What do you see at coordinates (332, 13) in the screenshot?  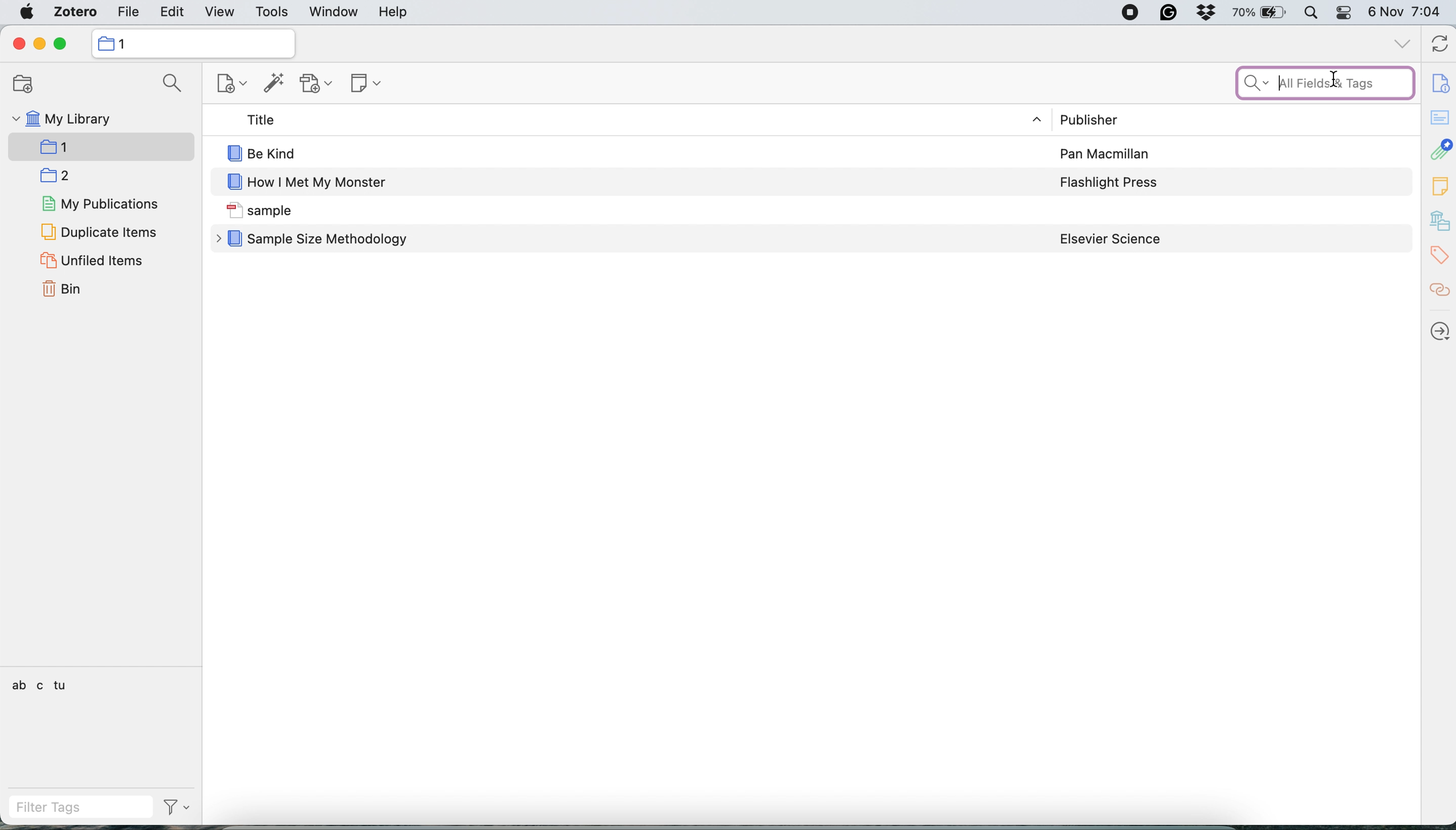 I see `window` at bounding box center [332, 13].